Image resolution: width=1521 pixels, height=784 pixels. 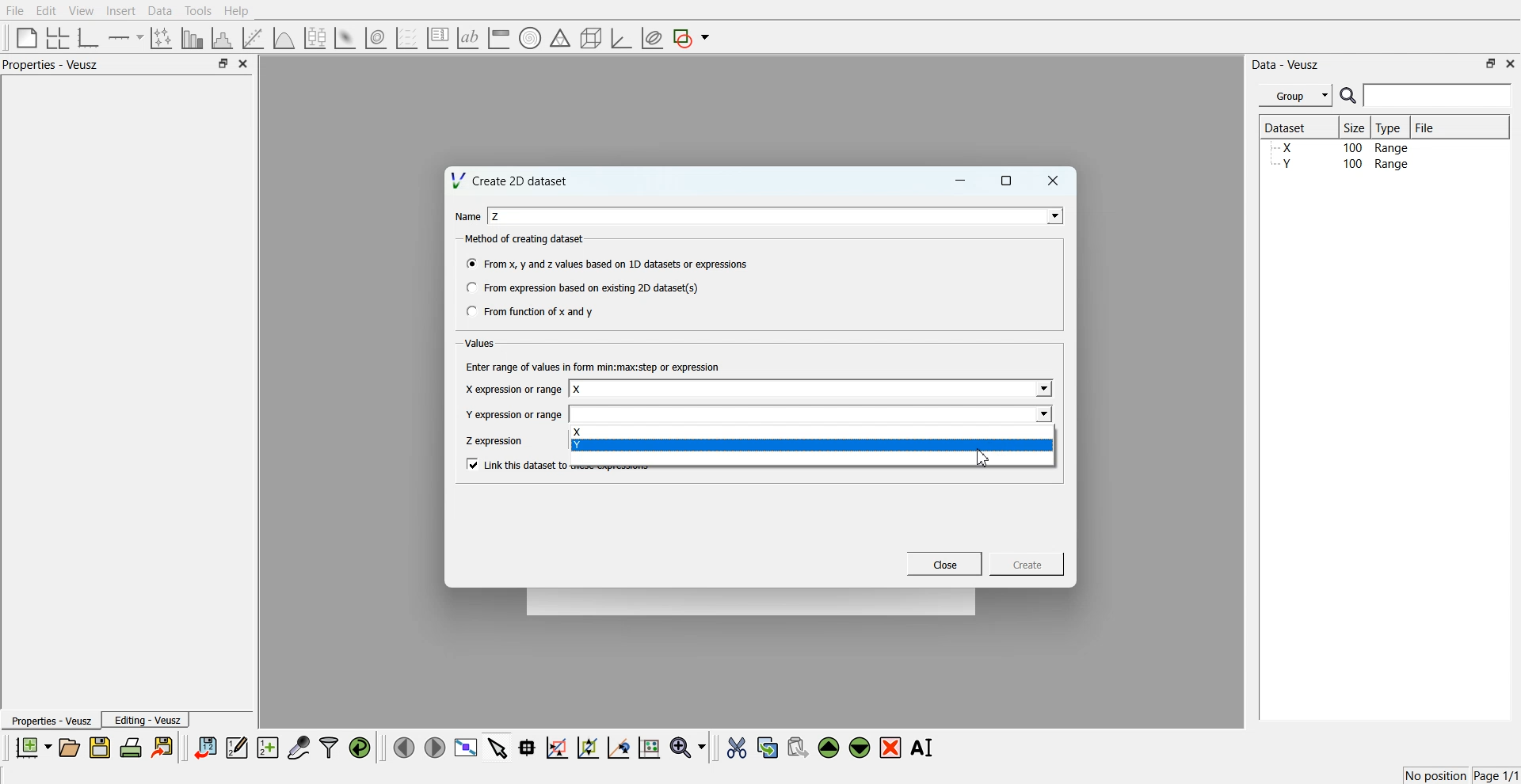 I want to click on Maximize, so click(x=223, y=63).